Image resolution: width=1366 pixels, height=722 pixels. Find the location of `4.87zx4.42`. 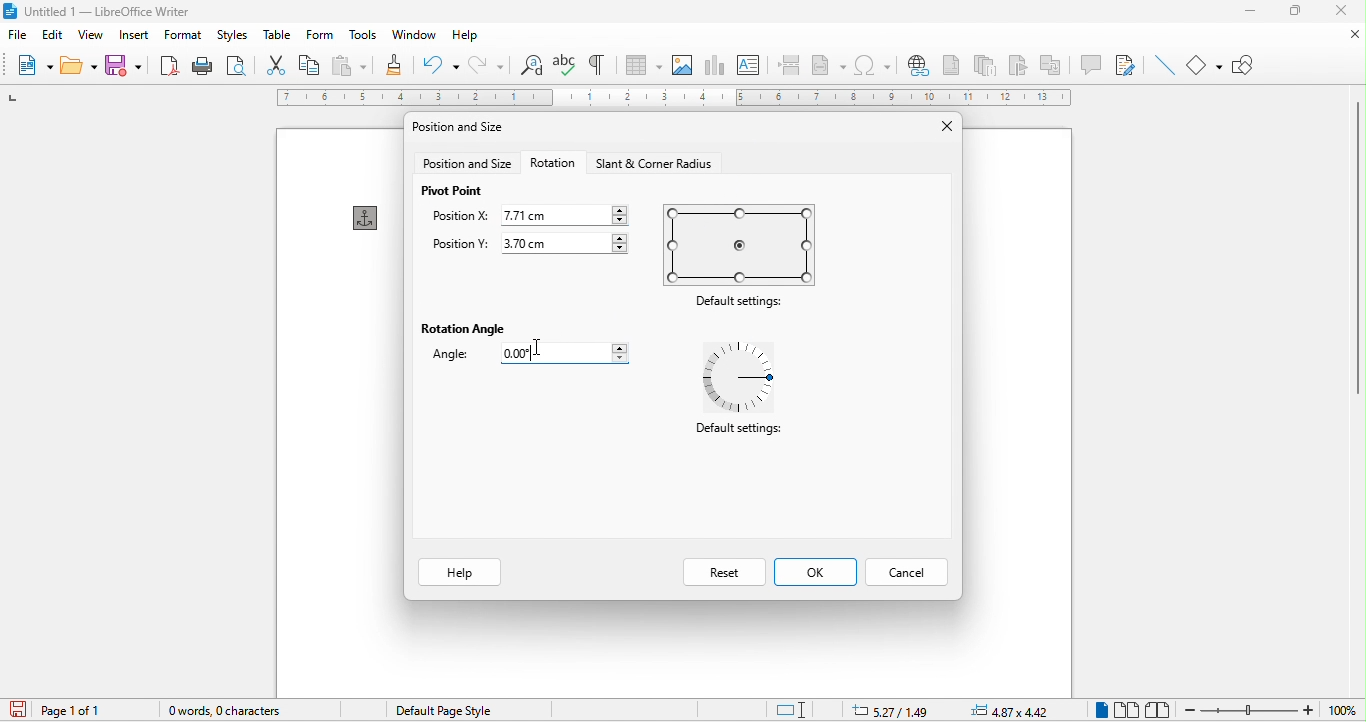

4.87zx4.42 is located at coordinates (1010, 709).